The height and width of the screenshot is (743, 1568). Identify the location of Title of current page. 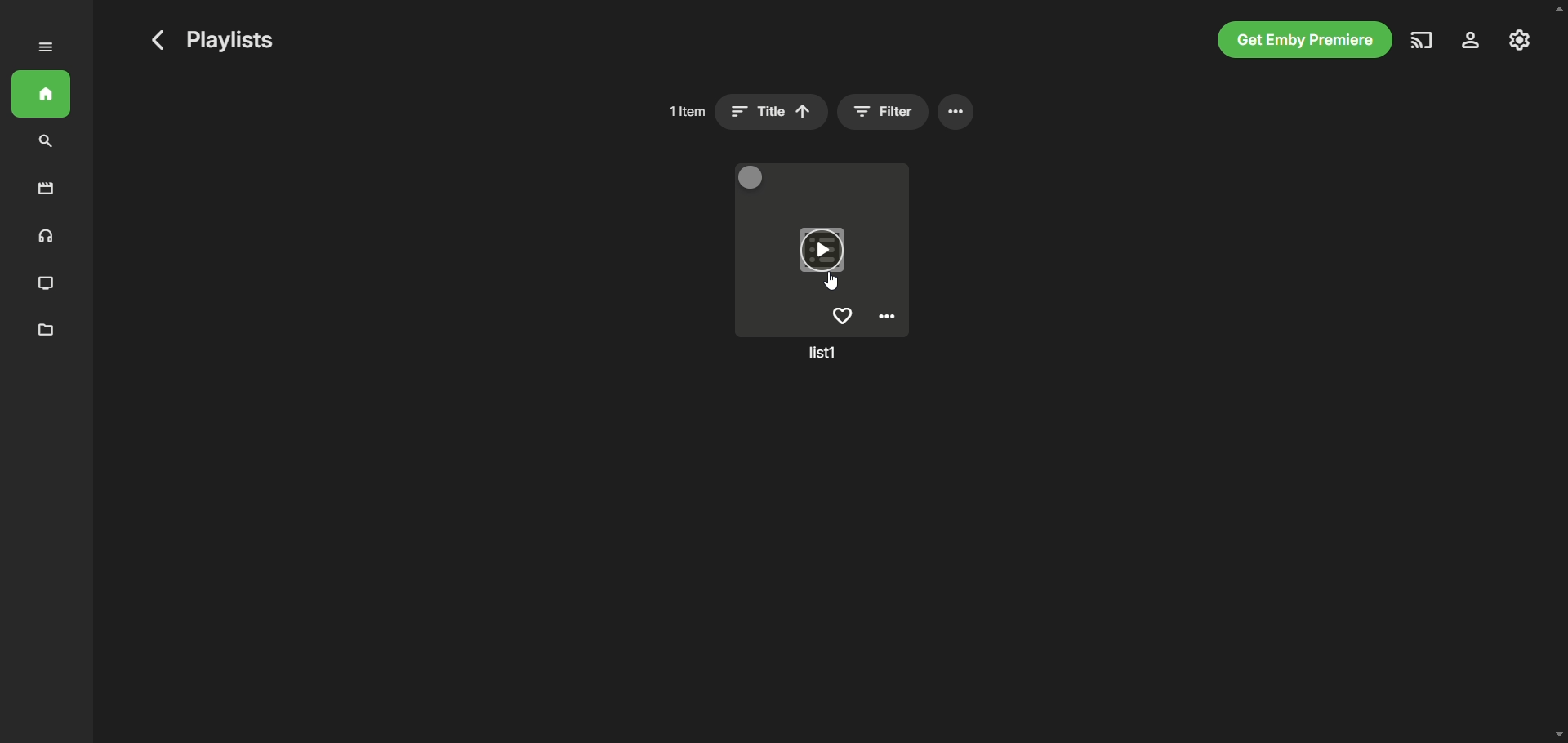
(230, 40).